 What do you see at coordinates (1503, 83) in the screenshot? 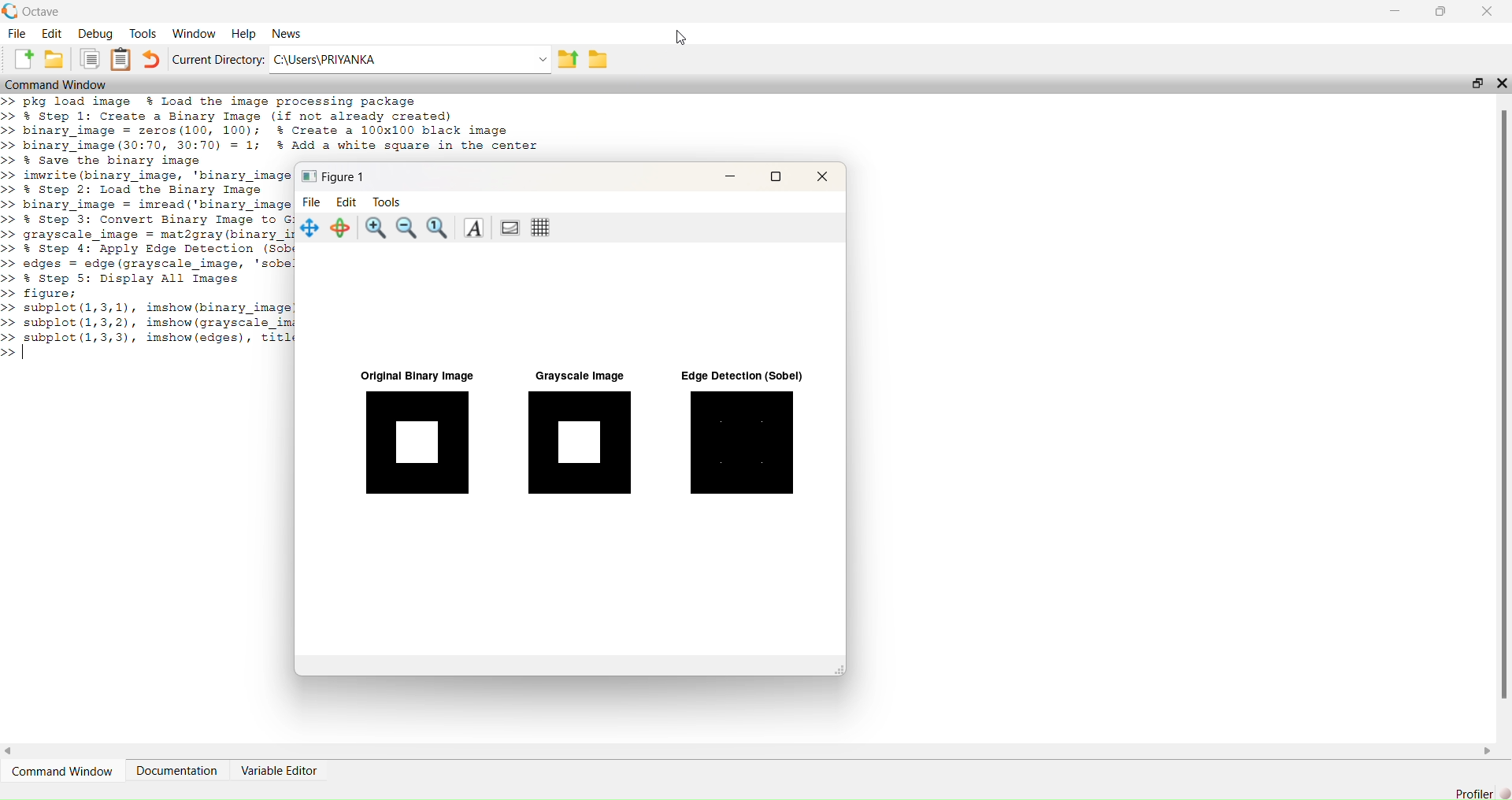
I see `close` at bounding box center [1503, 83].